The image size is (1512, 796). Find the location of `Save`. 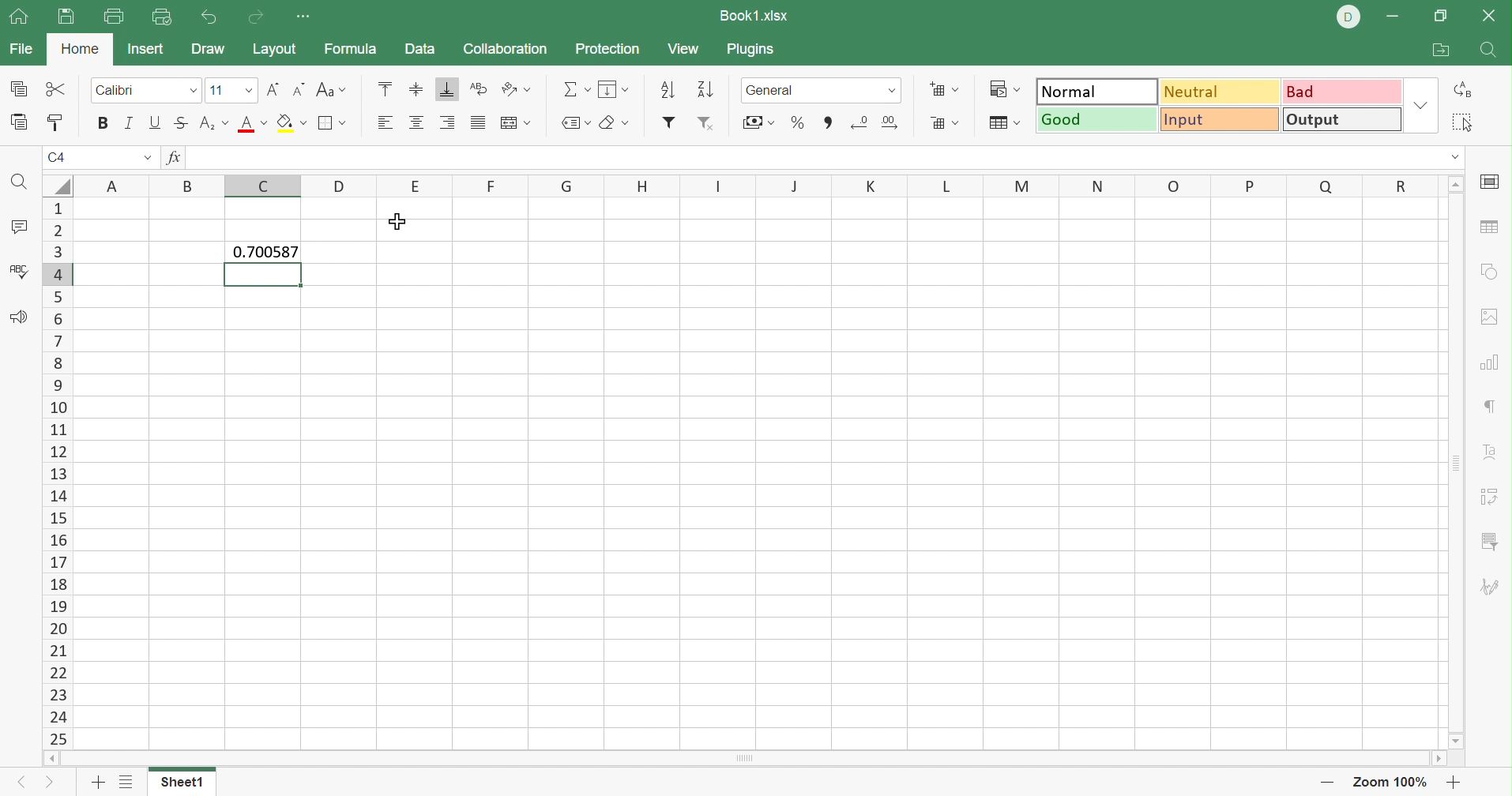

Save is located at coordinates (66, 17).